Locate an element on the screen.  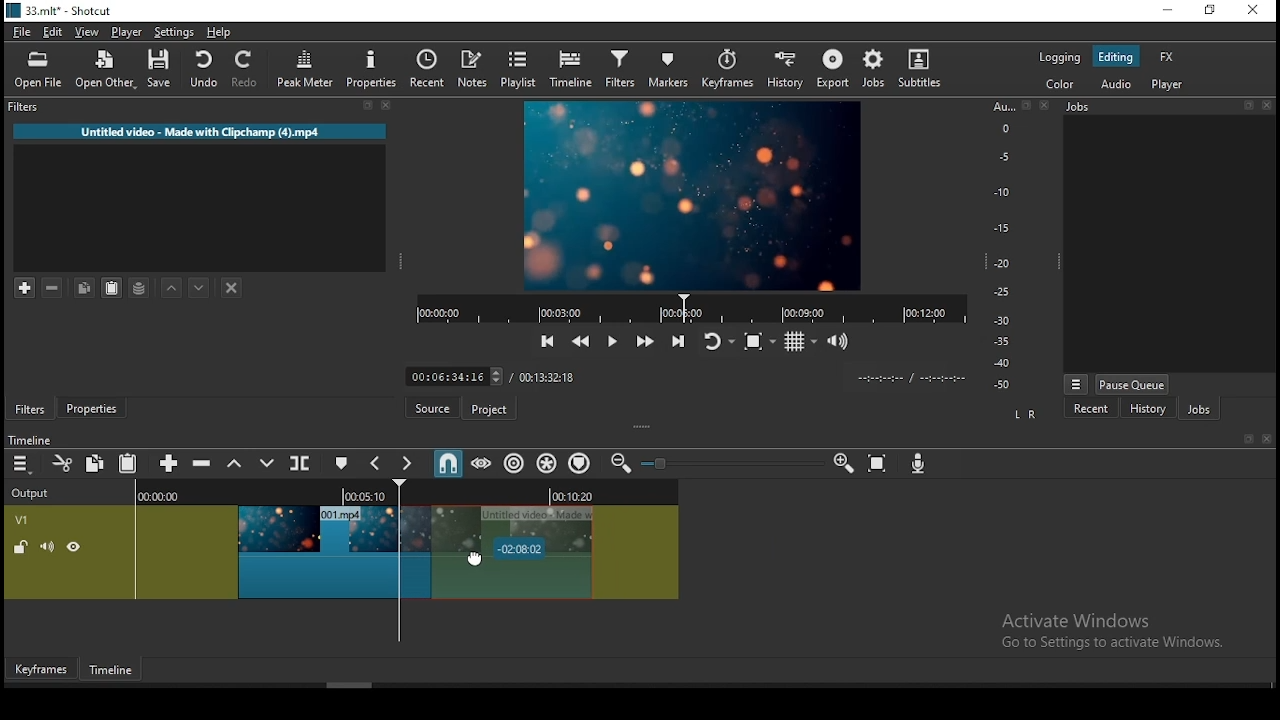
move filter up is located at coordinates (174, 288).